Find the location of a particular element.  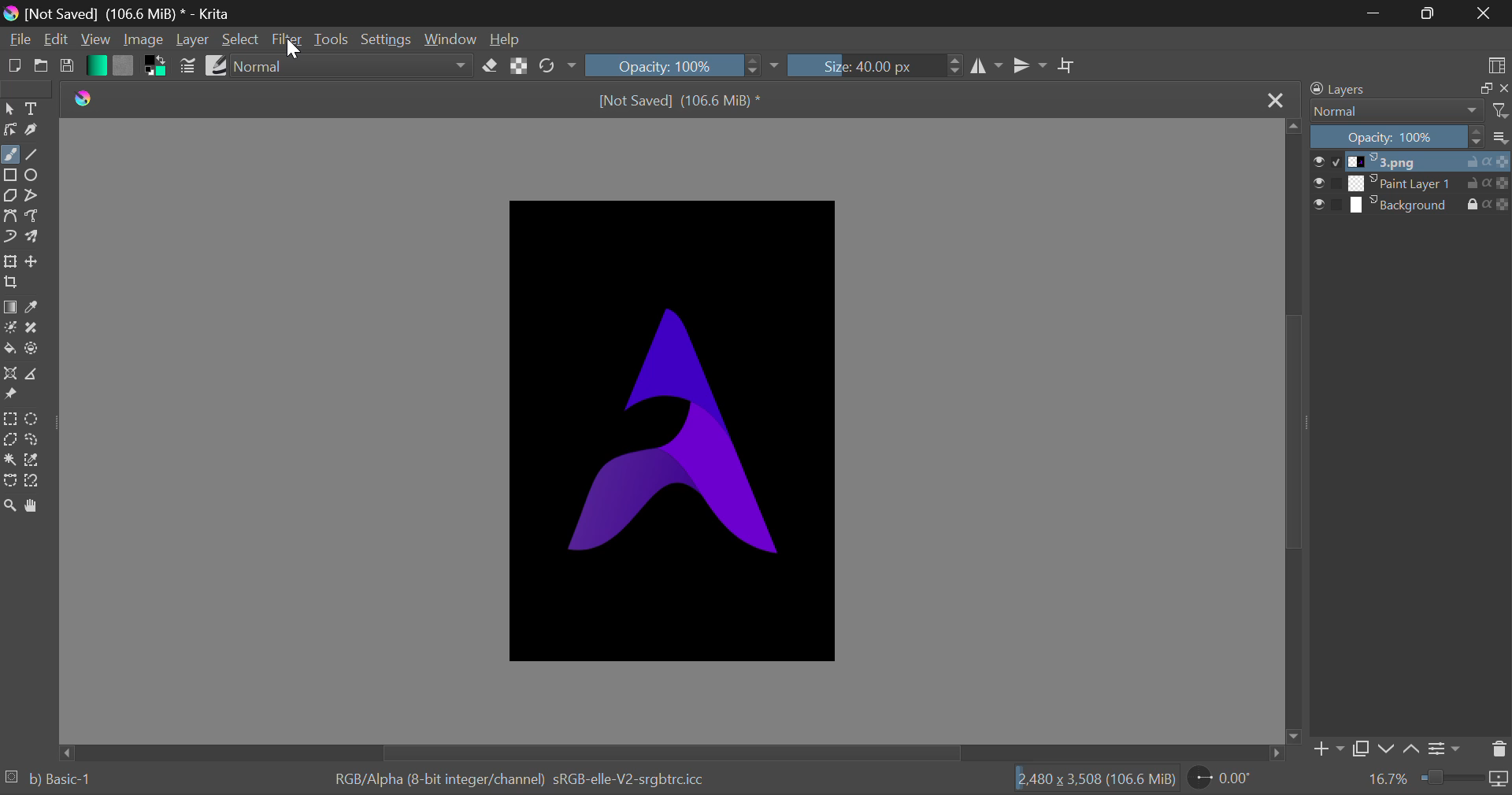

Add Layer is located at coordinates (1329, 749).